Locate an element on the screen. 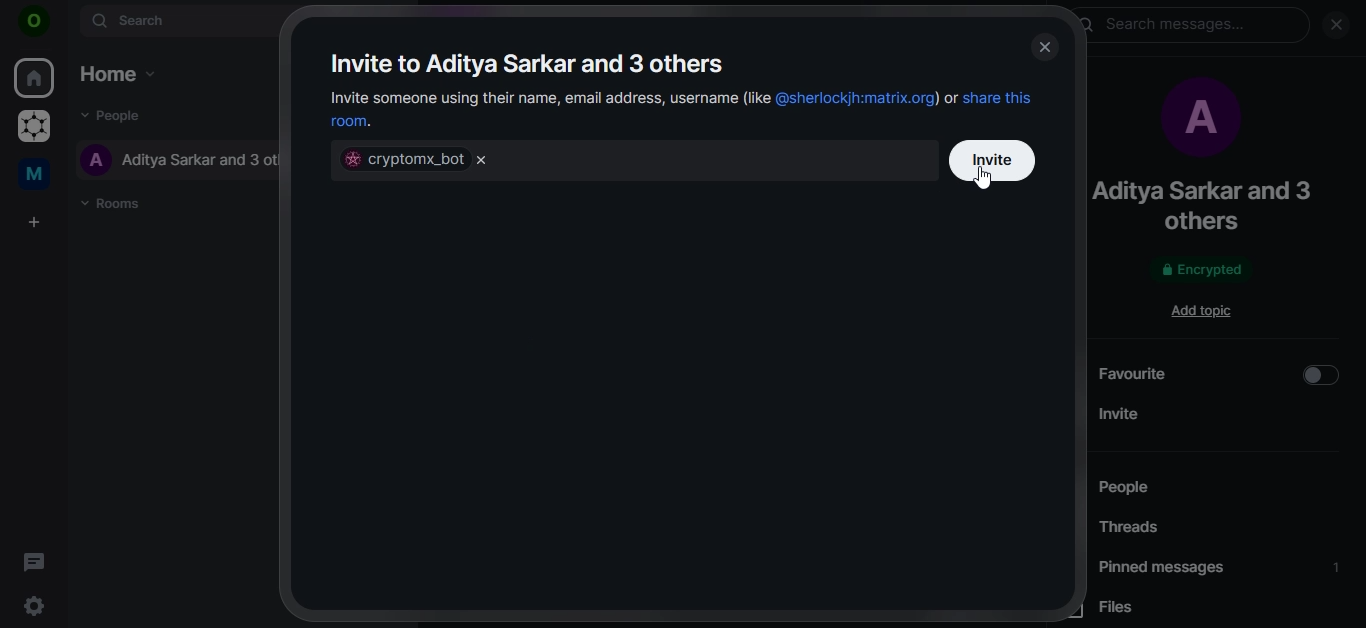 The image size is (1366, 628). favourite is located at coordinates (1220, 374).